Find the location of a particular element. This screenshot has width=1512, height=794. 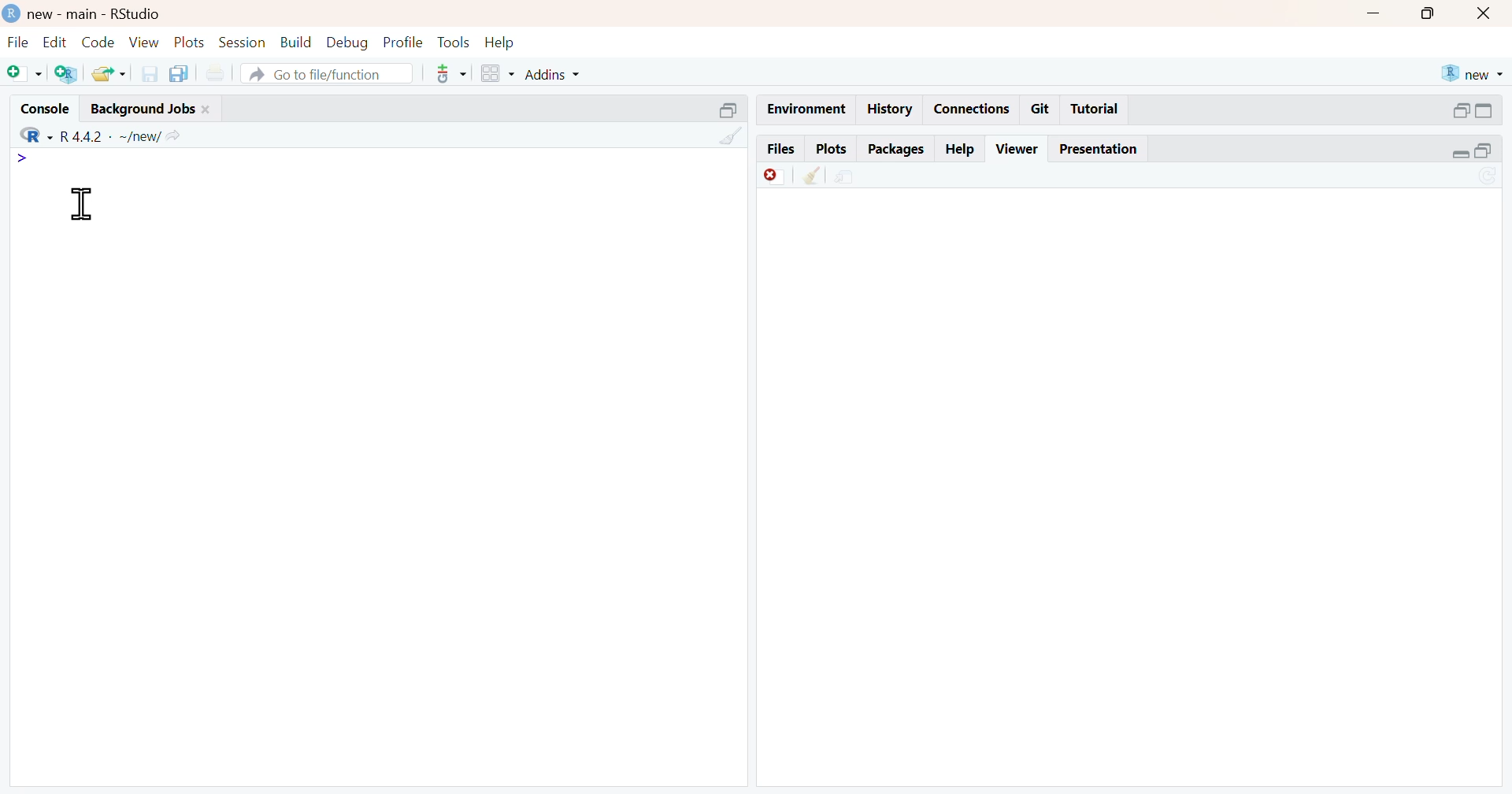

expand is located at coordinates (1455, 154).